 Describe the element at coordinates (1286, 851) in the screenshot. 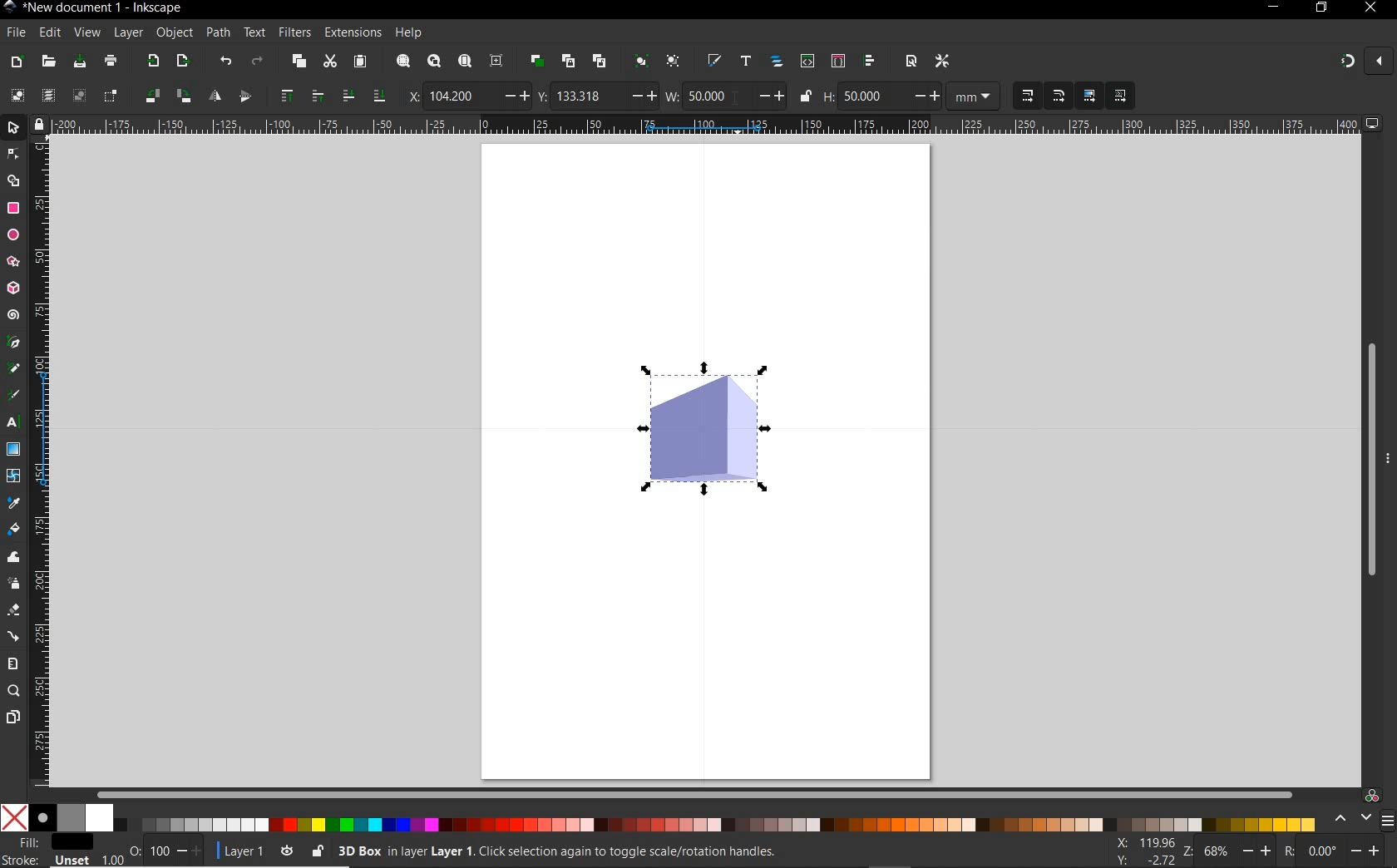

I see `rotation` at that location.